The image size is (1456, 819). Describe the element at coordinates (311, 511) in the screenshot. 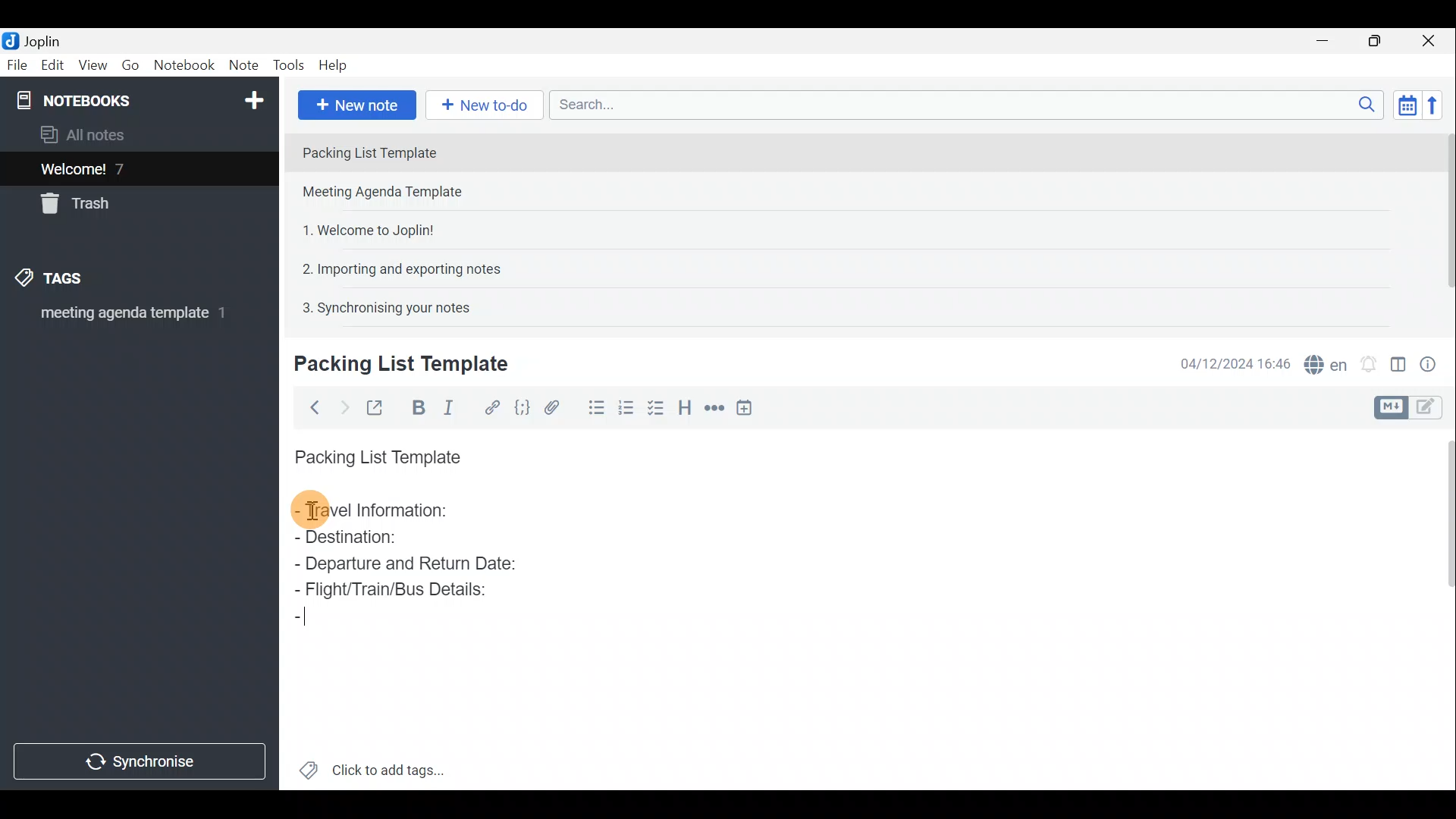

I see `cursor` at that location.